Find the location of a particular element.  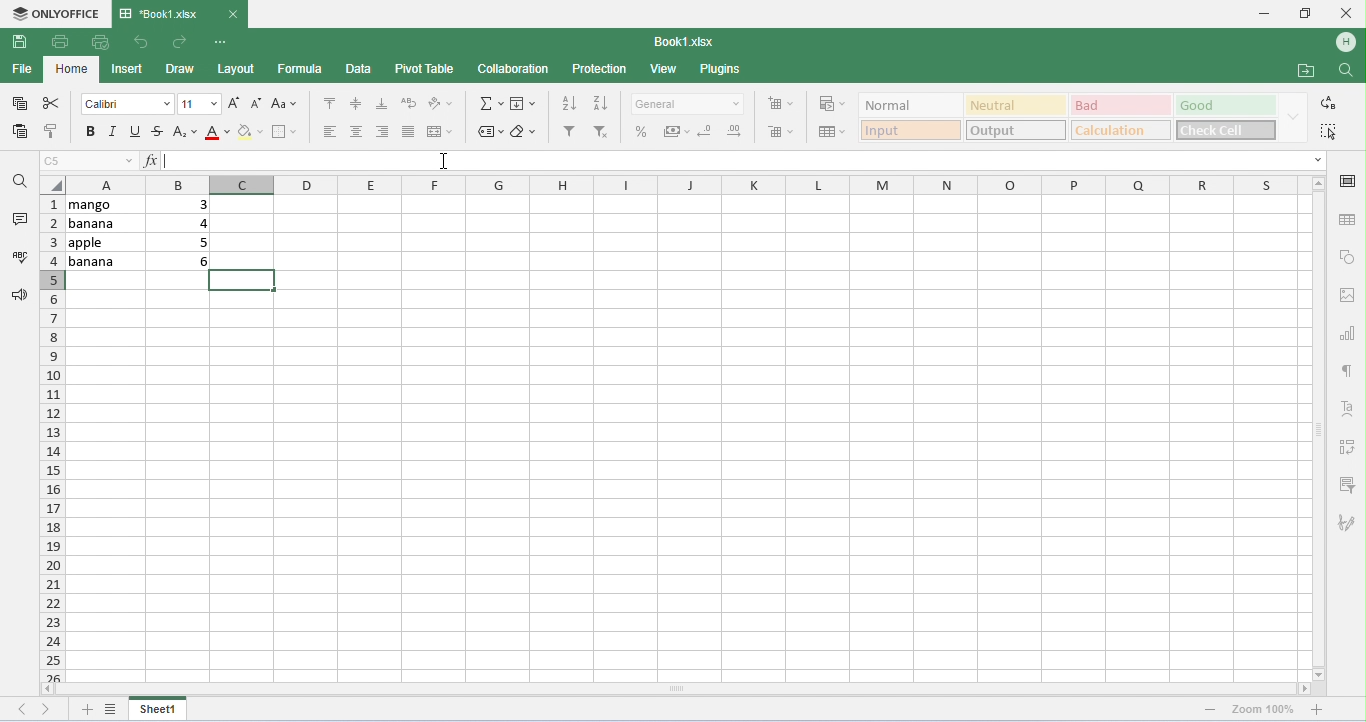

insert function is located at coordinates (150, 160).